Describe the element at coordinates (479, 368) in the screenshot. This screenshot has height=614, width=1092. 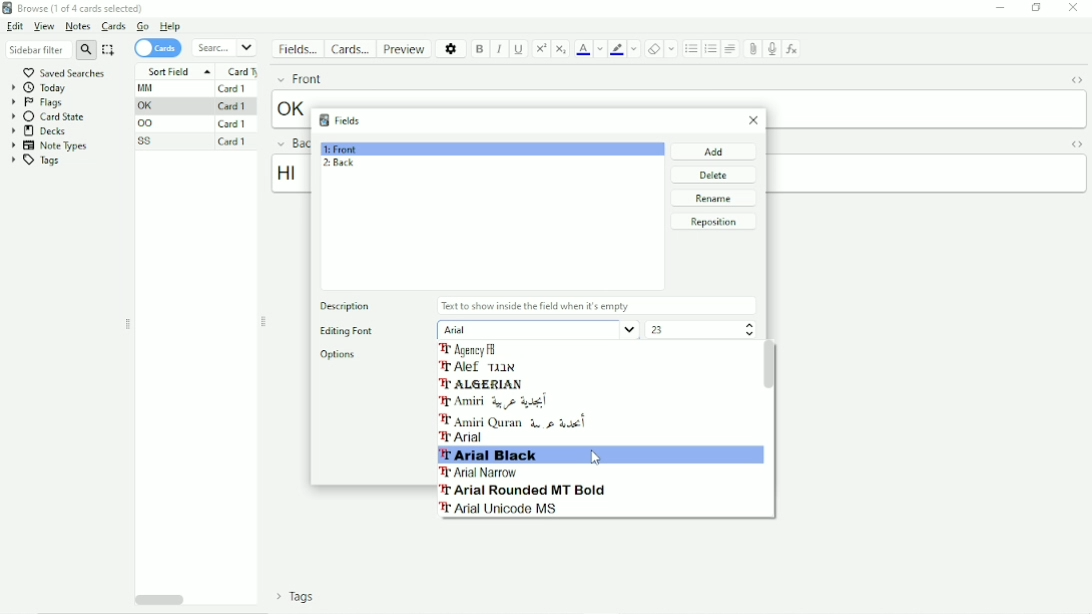
I see `Alef` at that location.